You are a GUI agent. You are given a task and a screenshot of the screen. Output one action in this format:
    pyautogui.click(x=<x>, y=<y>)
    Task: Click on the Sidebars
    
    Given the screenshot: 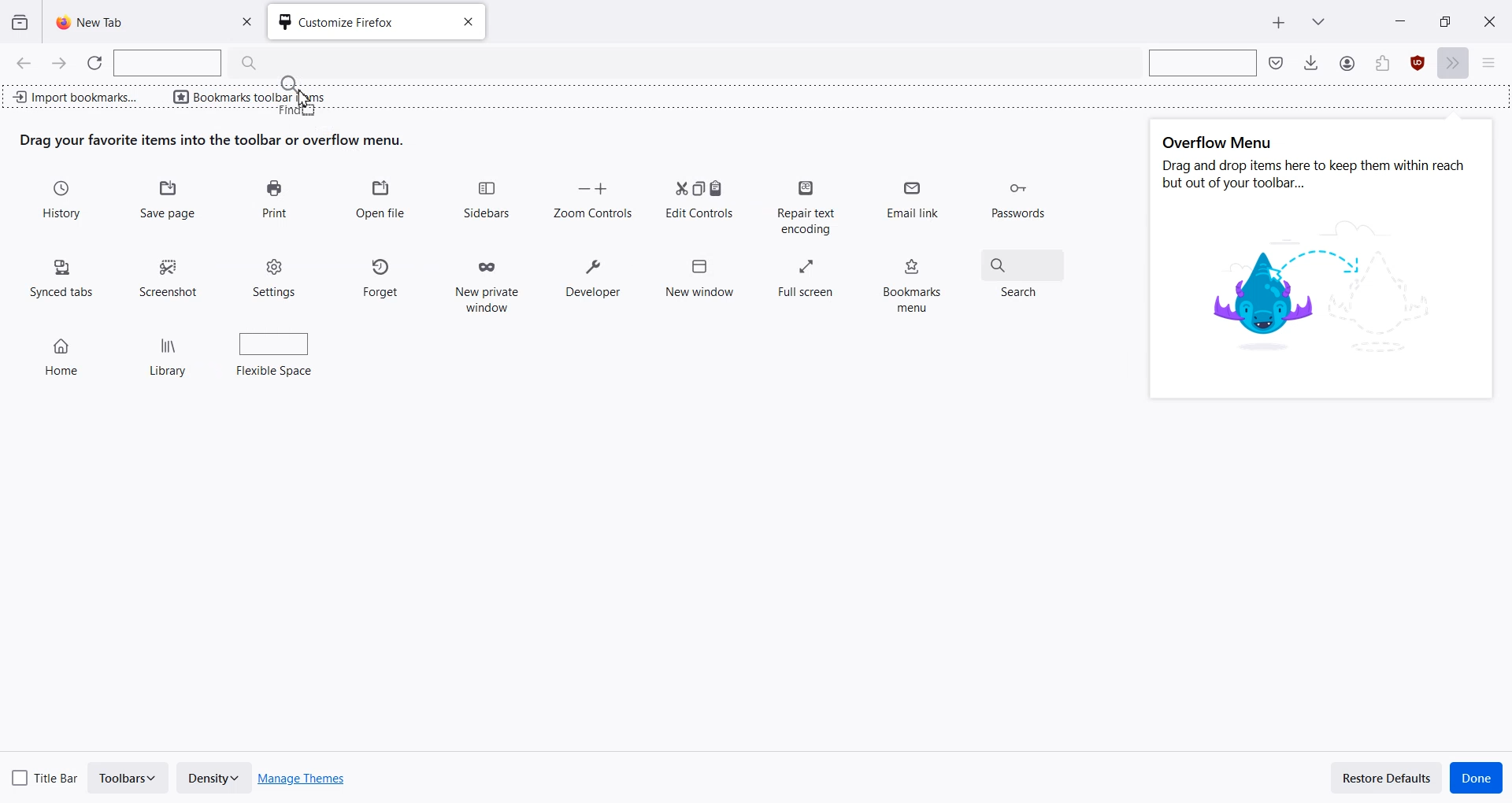 What is the action you would take?
    pyautogui.click(x=488, y=200)
    